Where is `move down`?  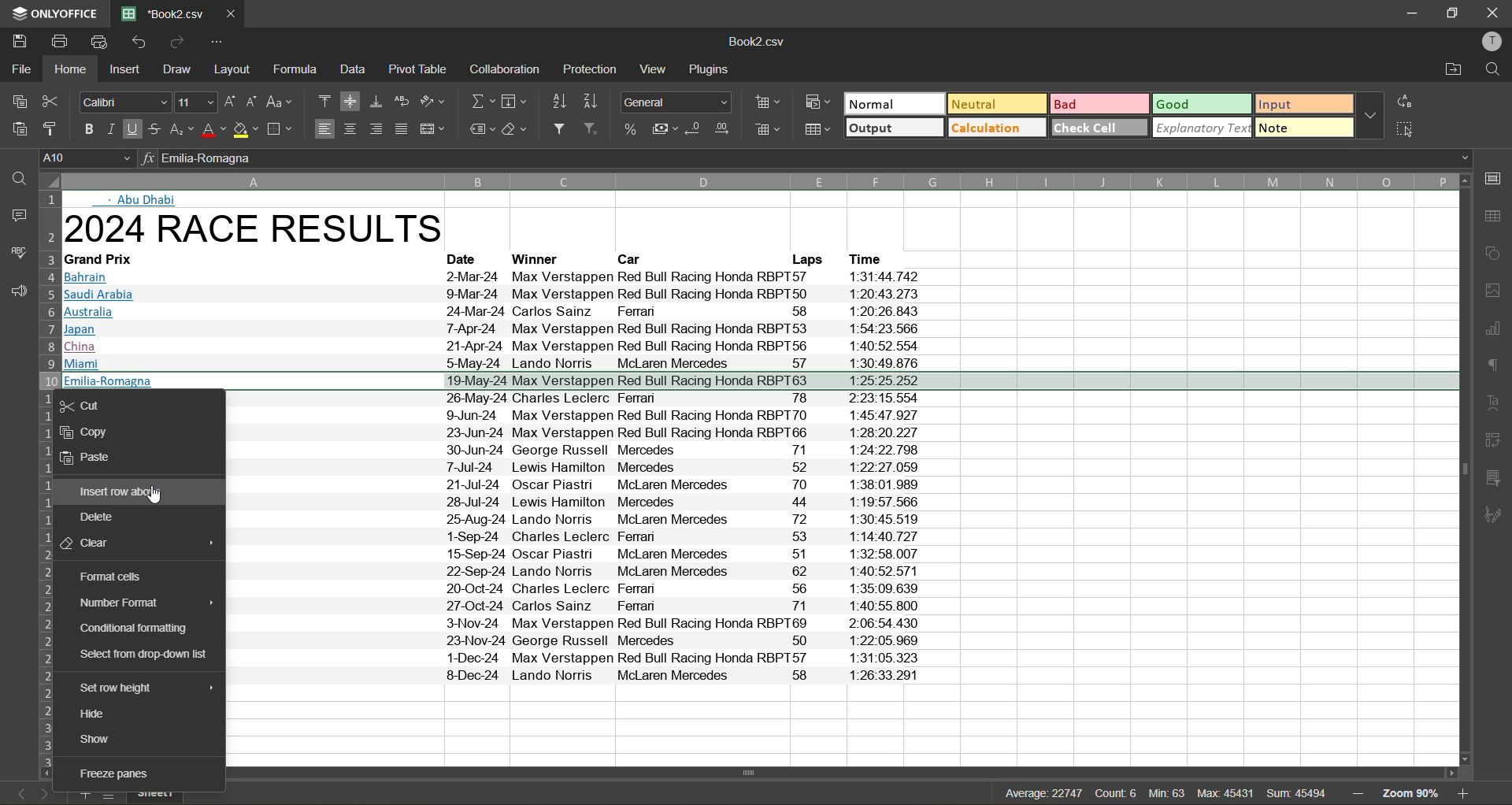
move down is located at coordinates (1464, 759).